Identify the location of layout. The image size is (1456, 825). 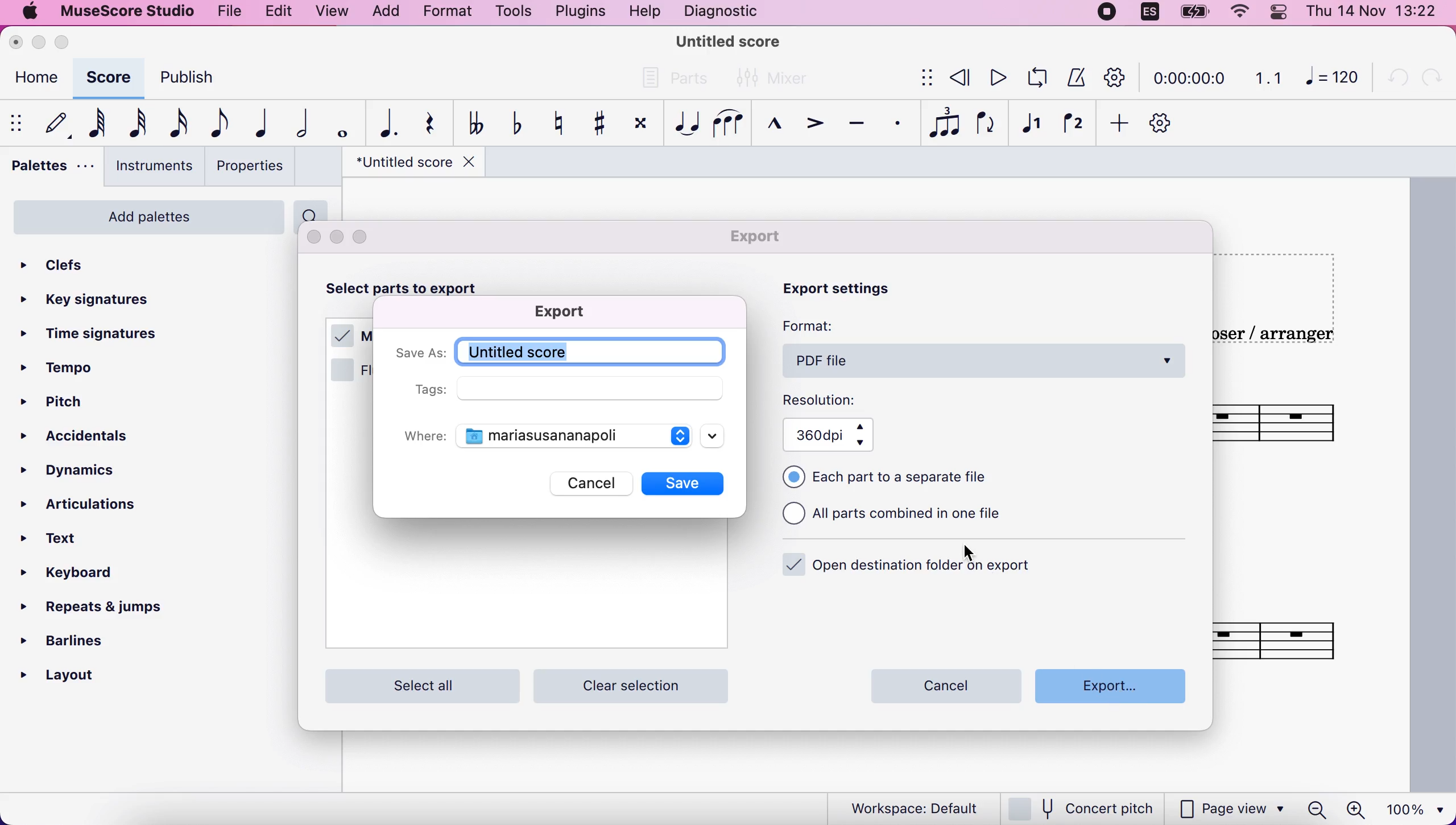
(78, 676).